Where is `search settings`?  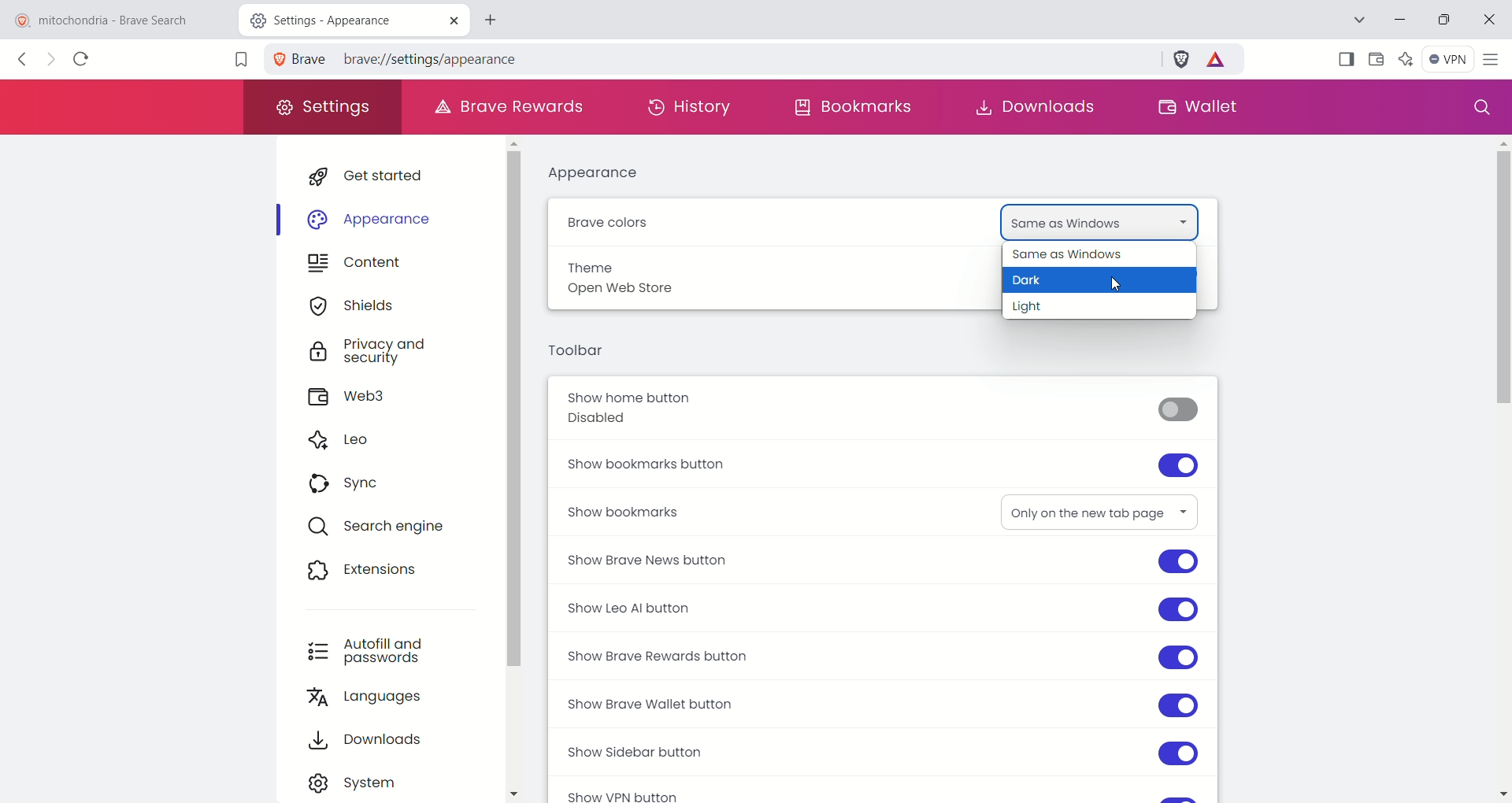 search settings is located at coordinates (1477, 108).